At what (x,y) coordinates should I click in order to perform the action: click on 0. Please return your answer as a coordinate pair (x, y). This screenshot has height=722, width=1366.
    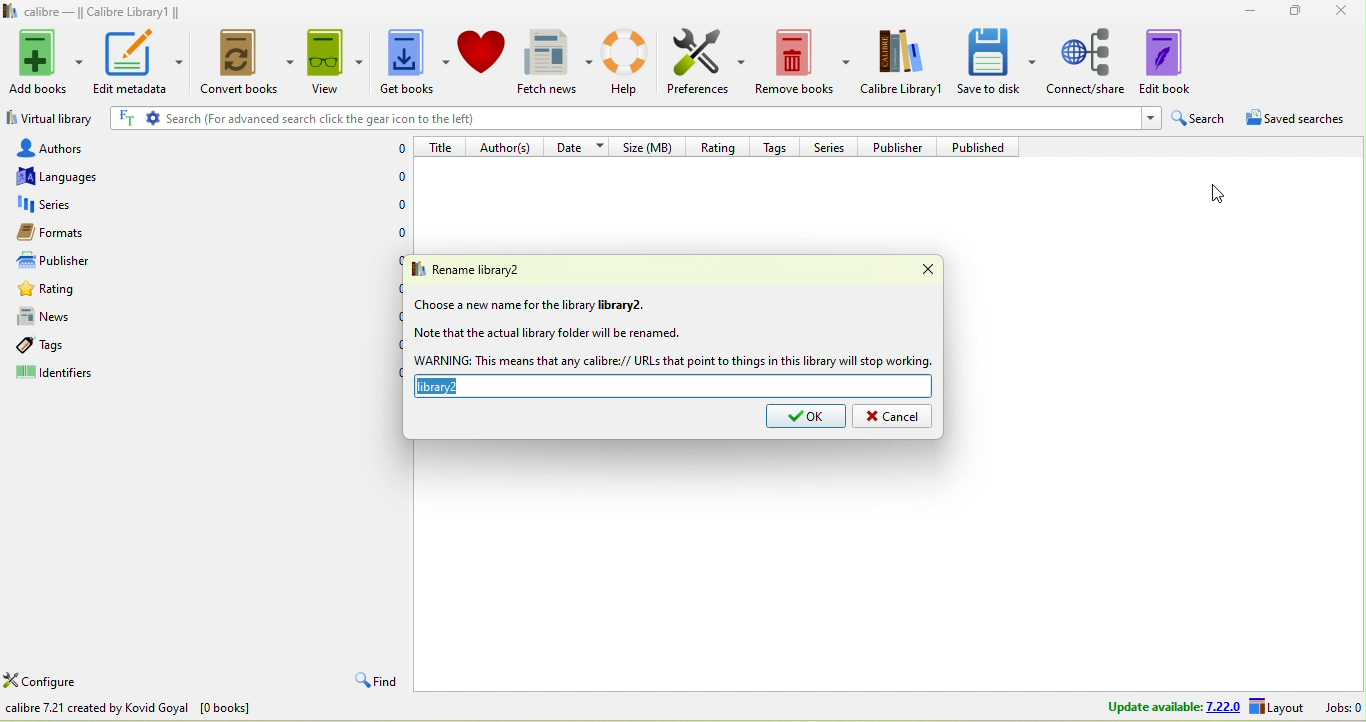
    Looking at the image, I should click on (394, 149).